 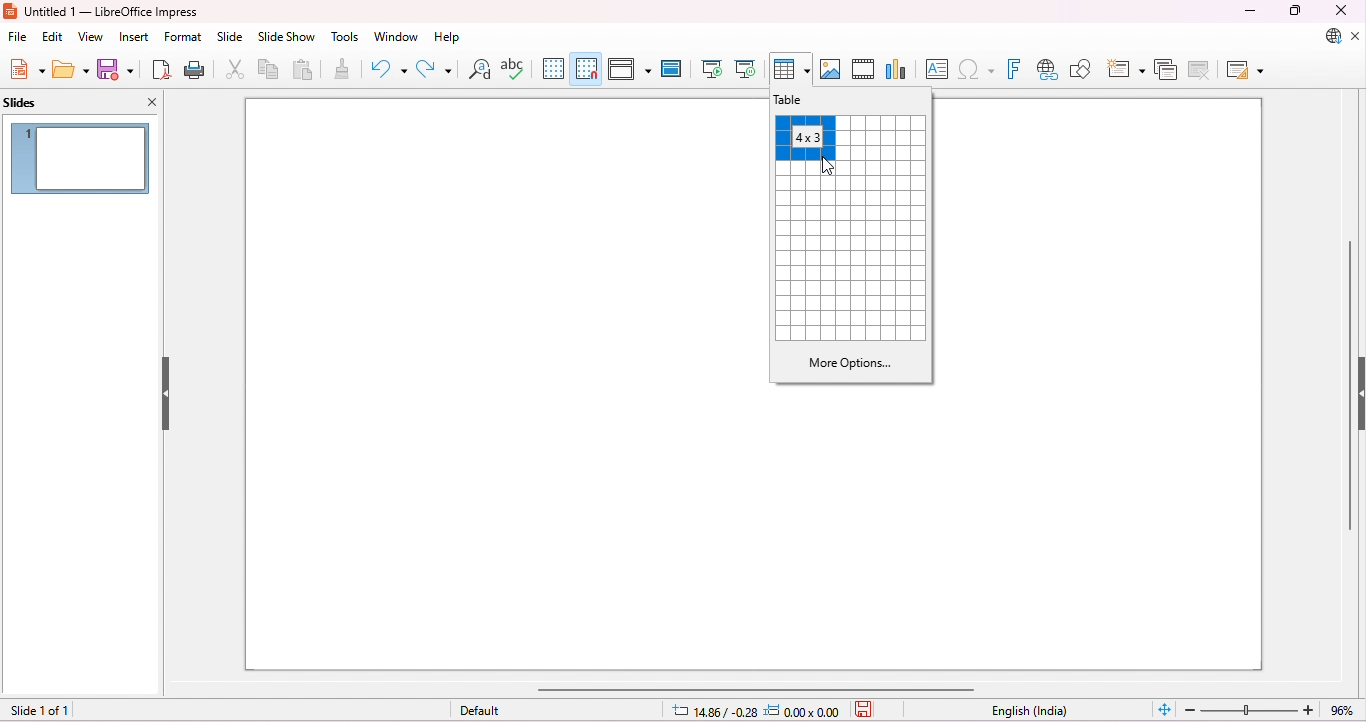 What do you see at coordinates (671, 68) in the screenshot?
I see `master slide` at bounding box center [671, 68].